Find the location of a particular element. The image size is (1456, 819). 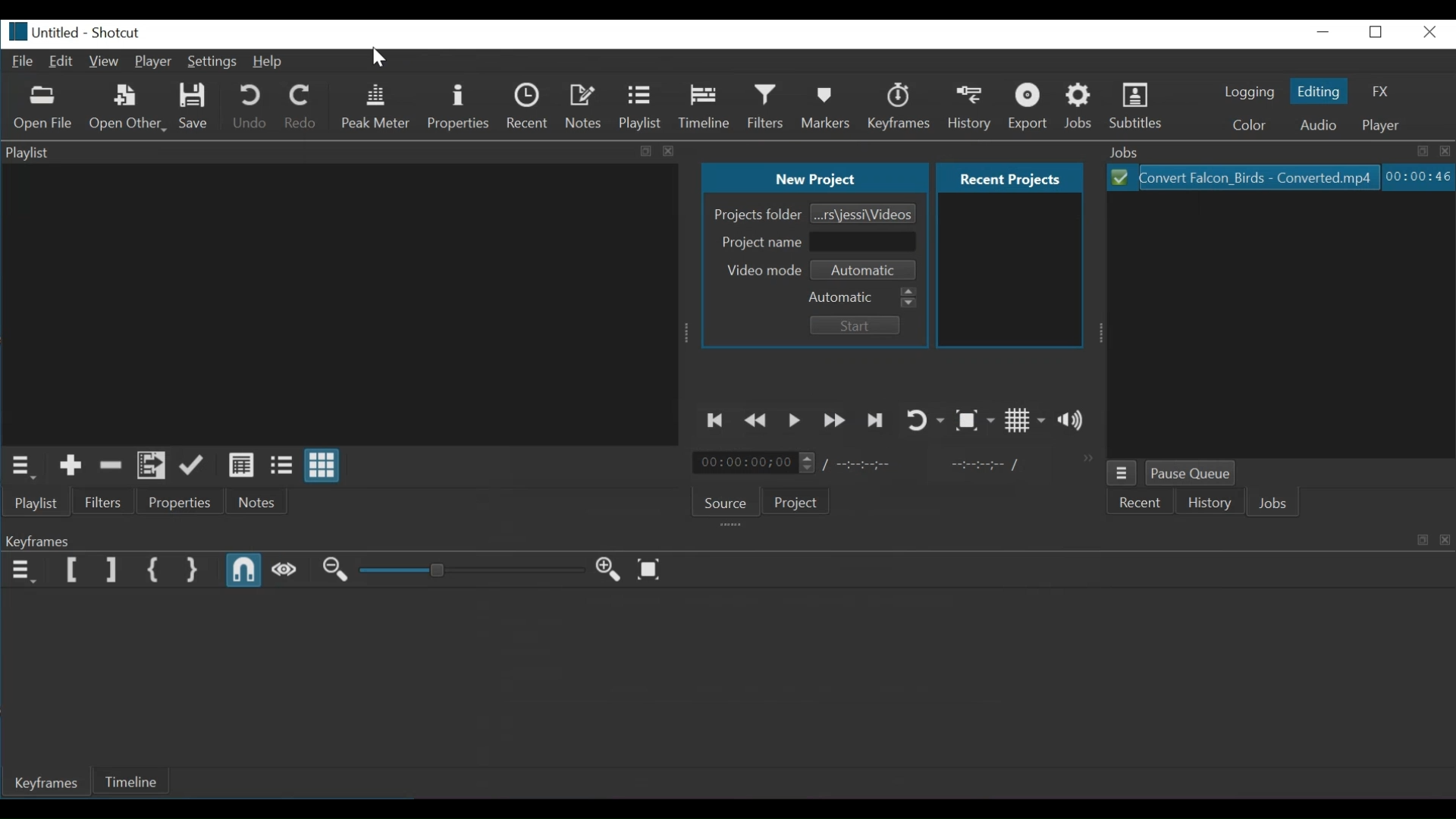

Video mode is located at coordinates (762, 271).